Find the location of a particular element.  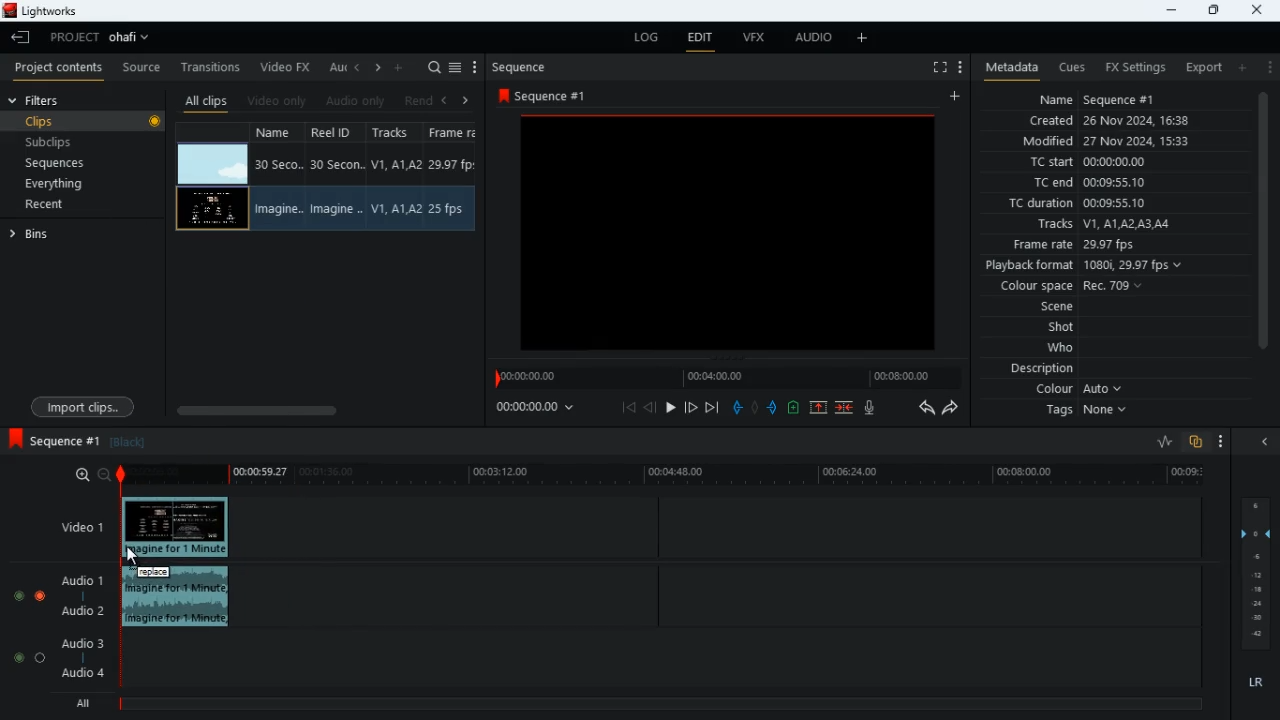

push is located at coordinates (773, 409).